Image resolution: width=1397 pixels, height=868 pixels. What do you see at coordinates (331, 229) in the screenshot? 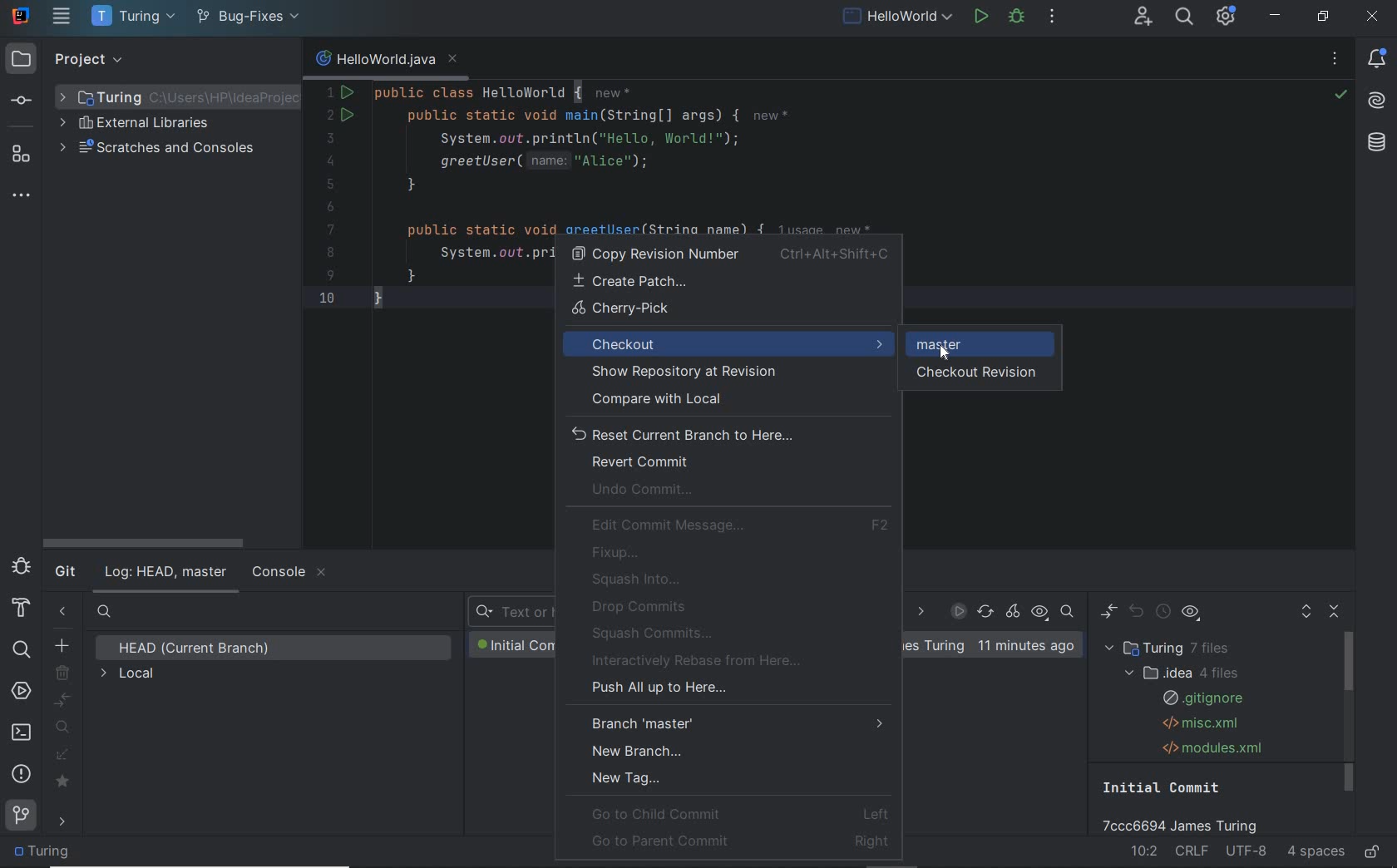
I see `7` at bounding box center [331, 229].